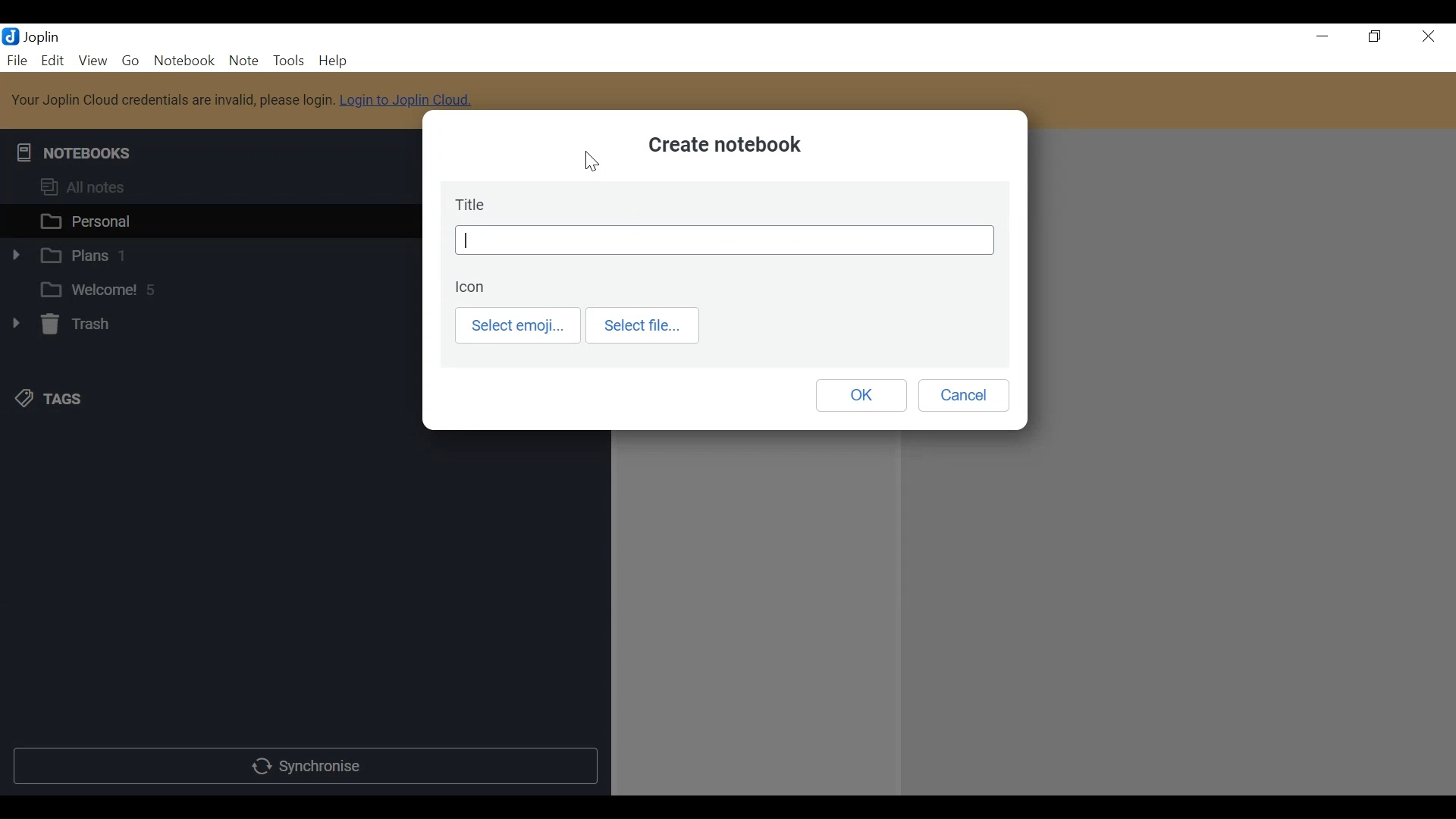 The width and height of the screenshot is (1456, 819). Describe the element at coordinates (405, 106) in the screenshot. I see `Login to Joplin Cloud` at that location.